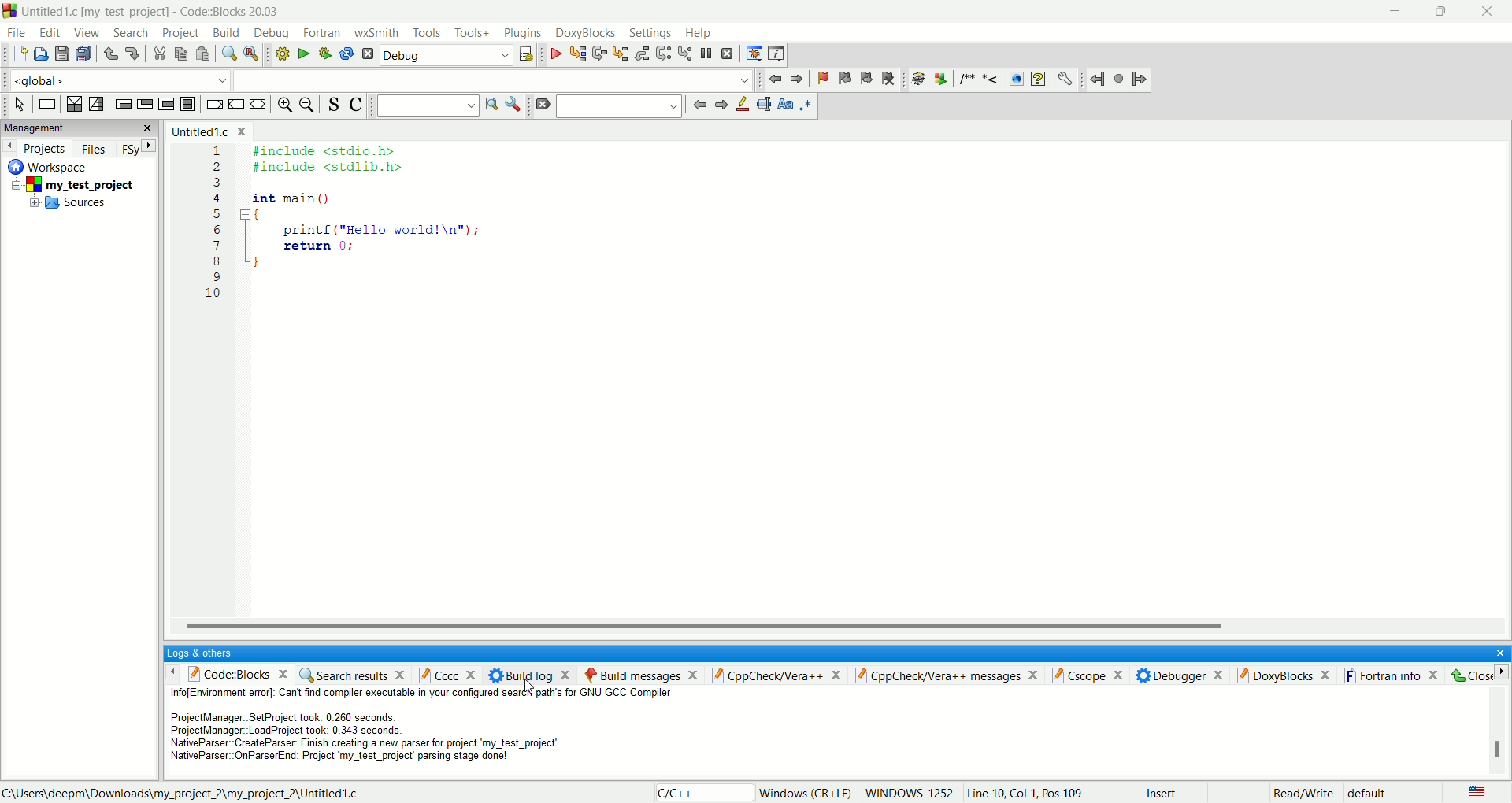 The width and height of the screenshot is (1512, 803). I want to click on jump next, so click(773, 81).